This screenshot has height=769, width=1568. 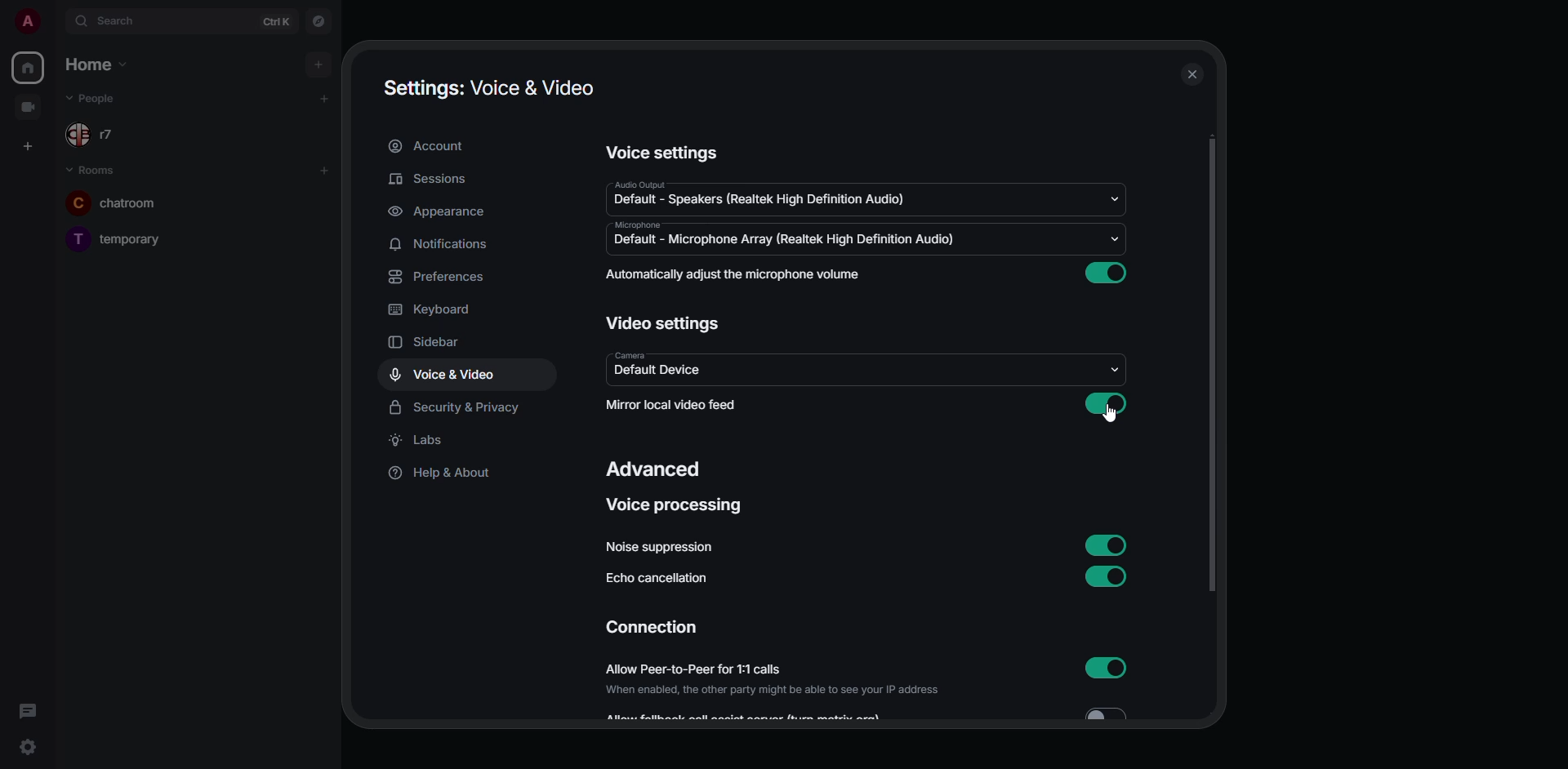 I want to click on close, so click(x=1194, y=75).